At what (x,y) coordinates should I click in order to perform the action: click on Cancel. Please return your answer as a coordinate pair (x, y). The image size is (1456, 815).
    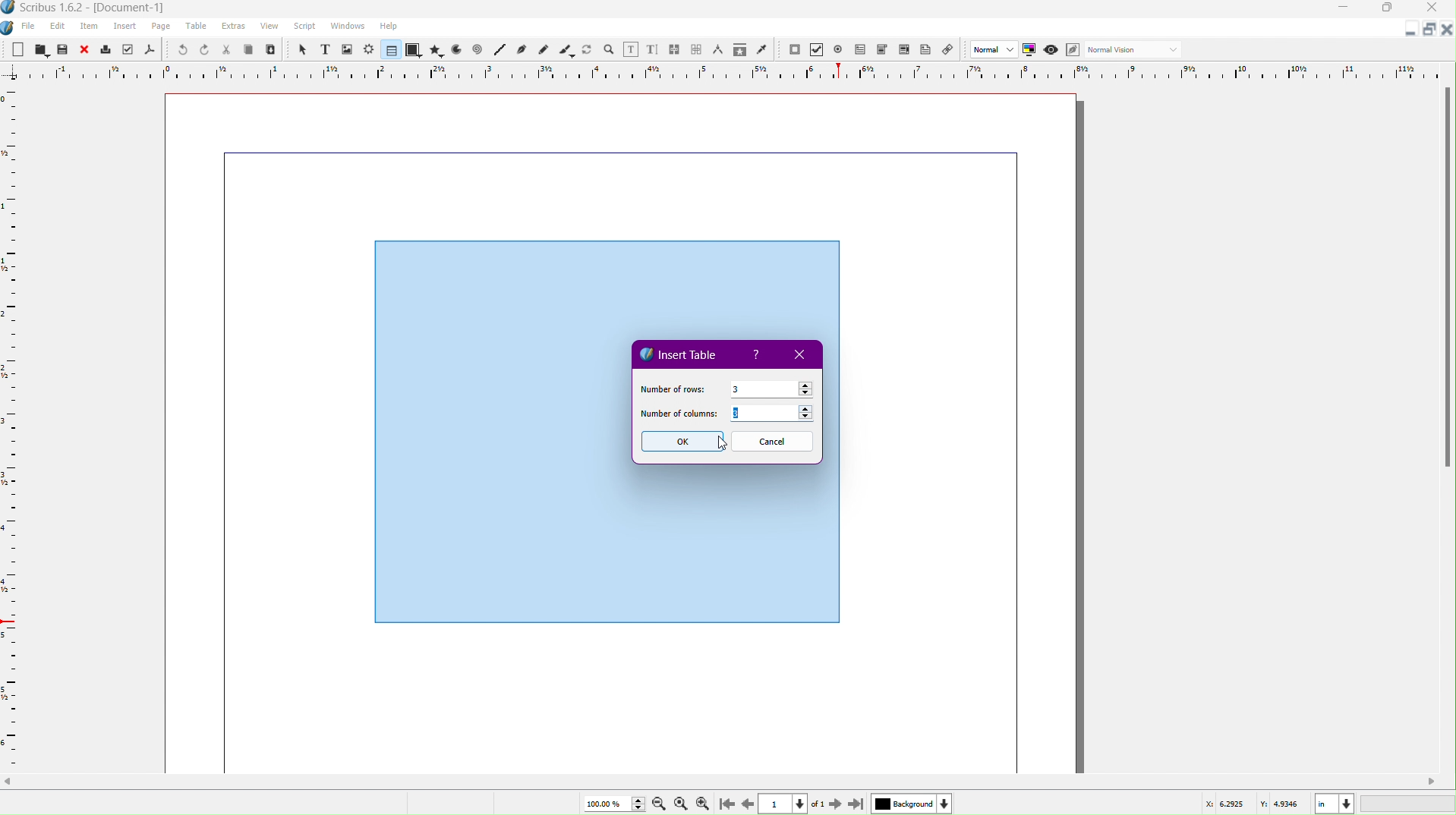
    Looking at the image, I should click on (773, 442).